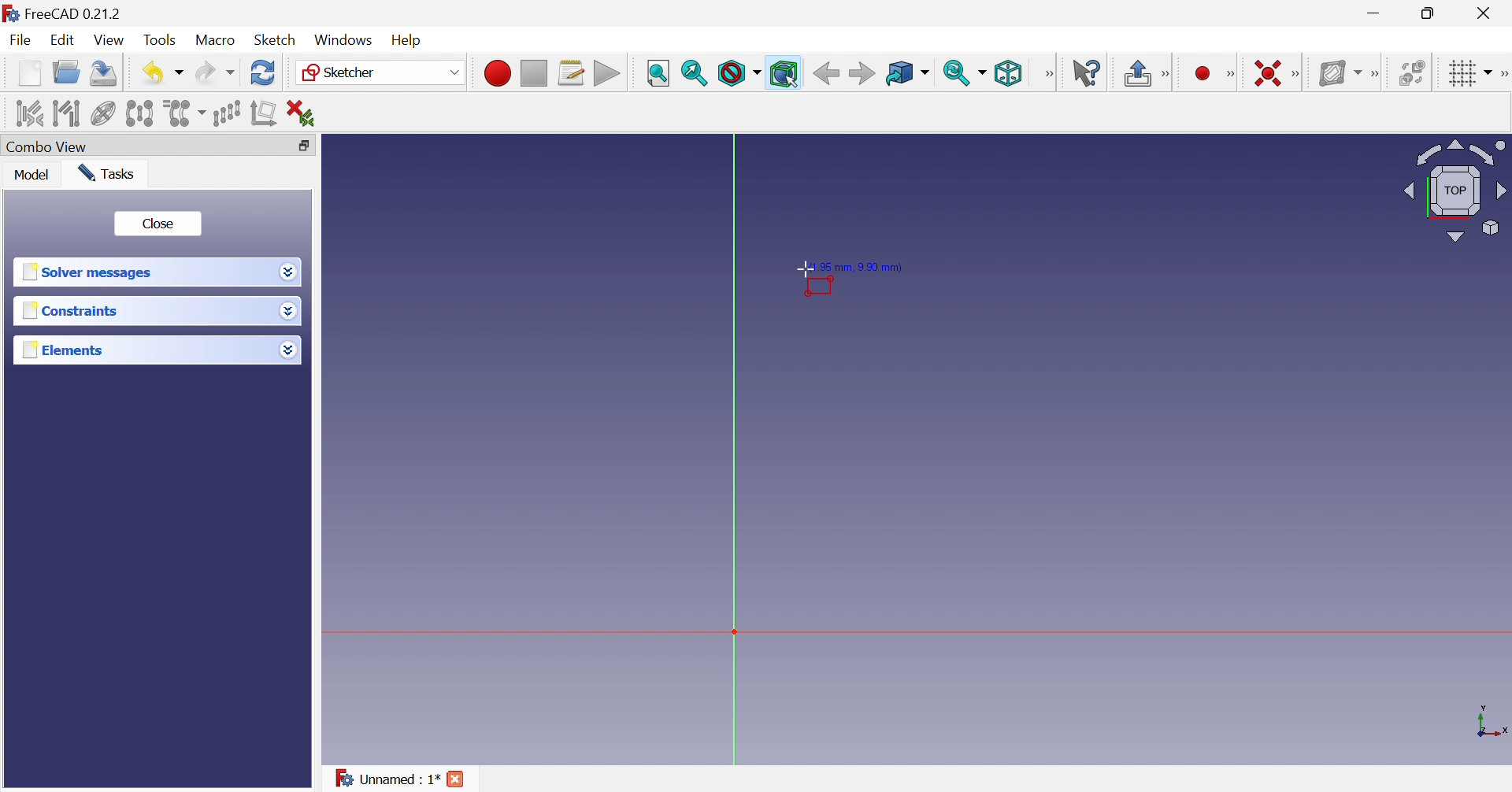  What do you see at coordinates (879, 540) in the screenshot?
I see `canvas` at bounding box center [879, 540].